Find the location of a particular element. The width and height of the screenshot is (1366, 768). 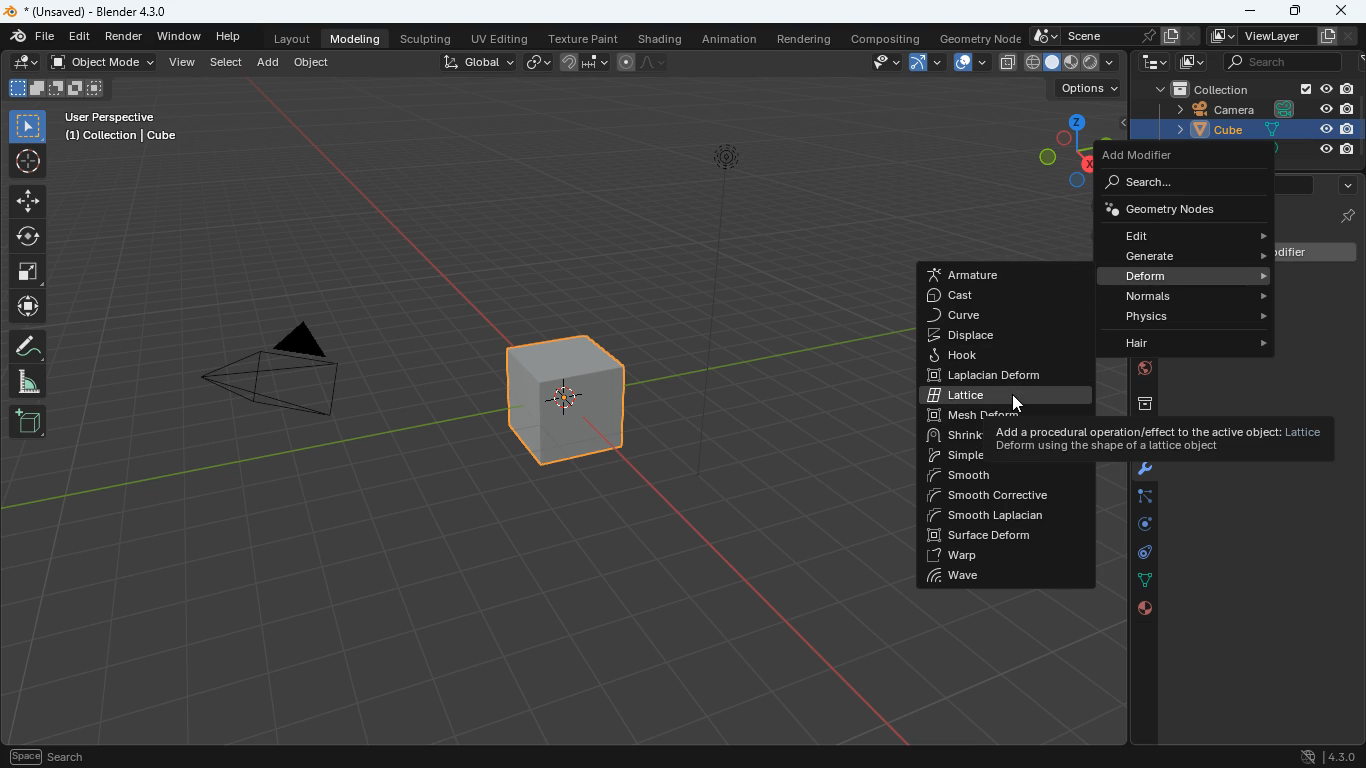

light is located at coordinates (727, 217).